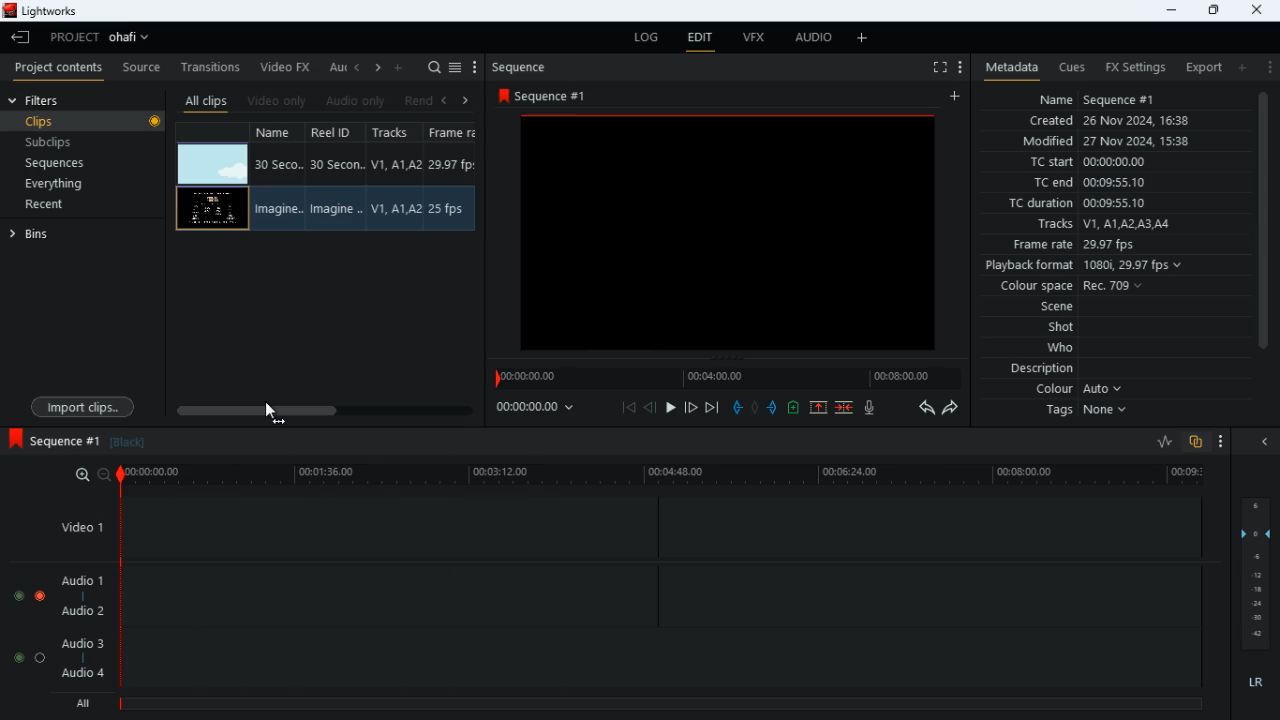 Image resolution: width=1280 pixels, height=720 pixels. What do you see at coordinates (1262, 441) in the screenshot?
I see `close` at bounding box center [1262, 441].